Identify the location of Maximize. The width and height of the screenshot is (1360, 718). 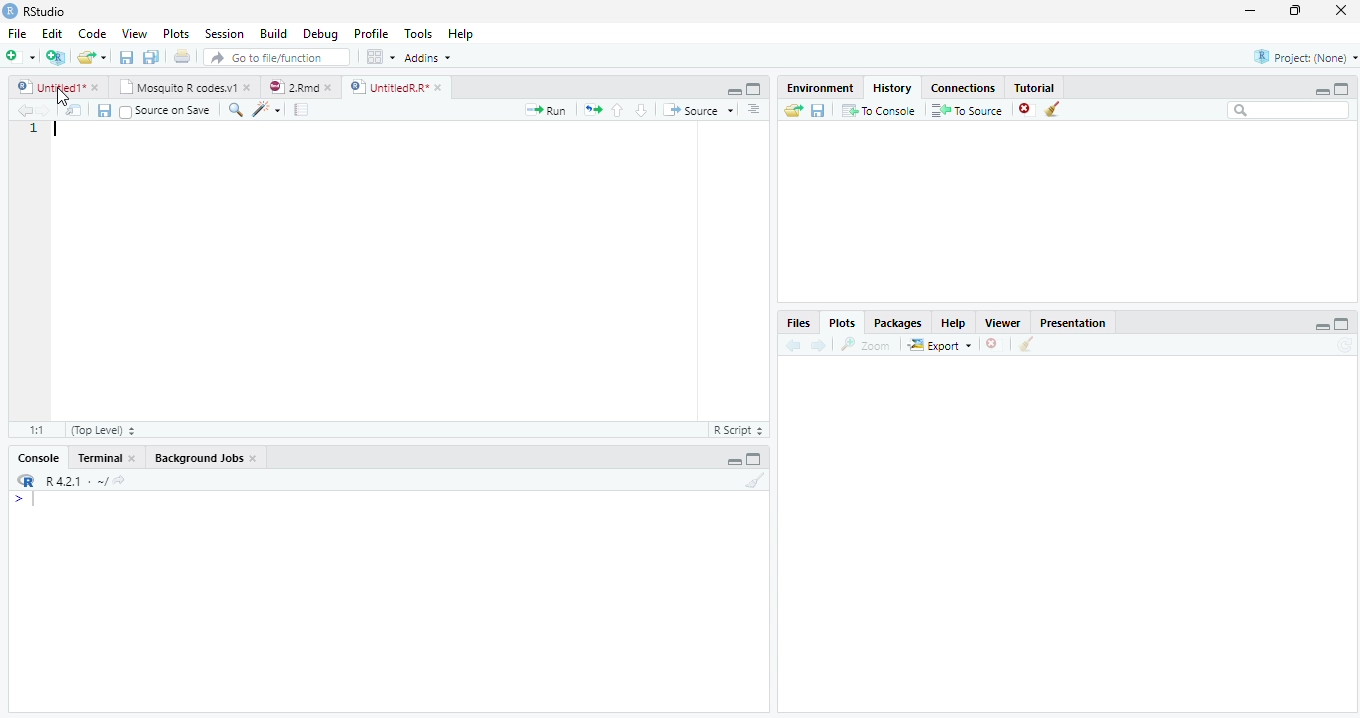
(756, 461).